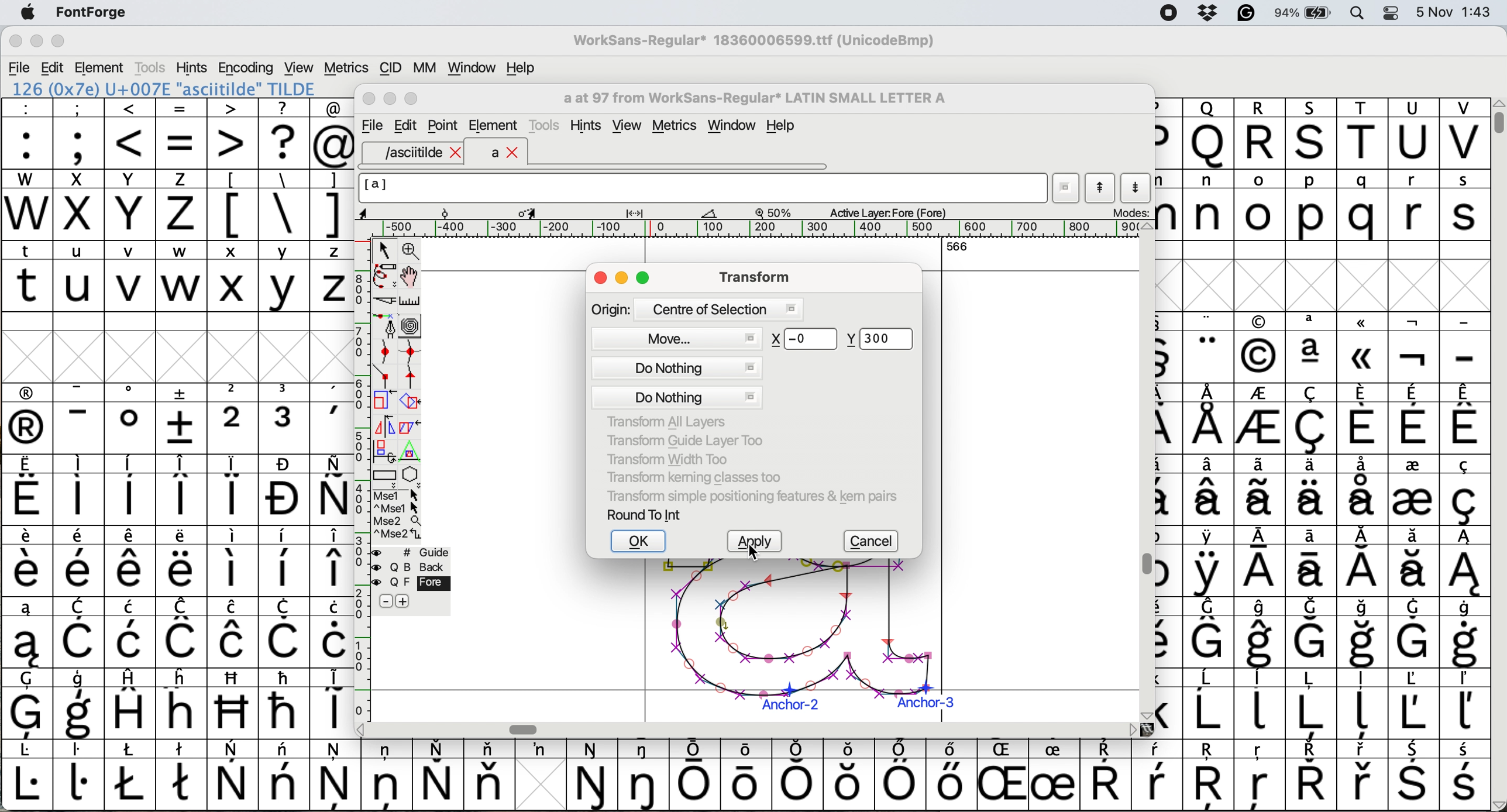  I want to click on hints, so click(588, 126).